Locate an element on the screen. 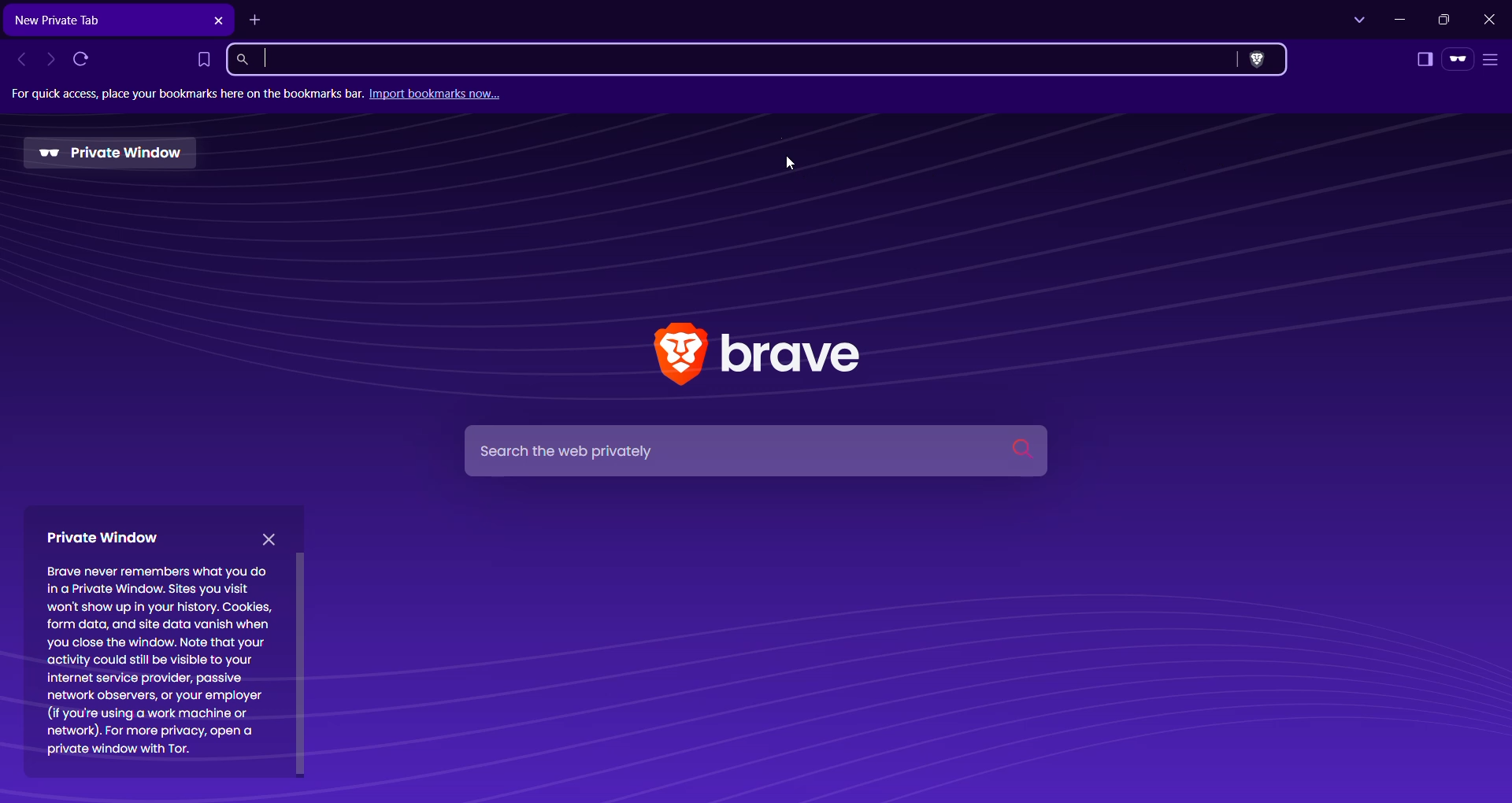  for quick access place your bookmarks here on the bookmark bar. import bookmark now is located at coordinates (281, 94).